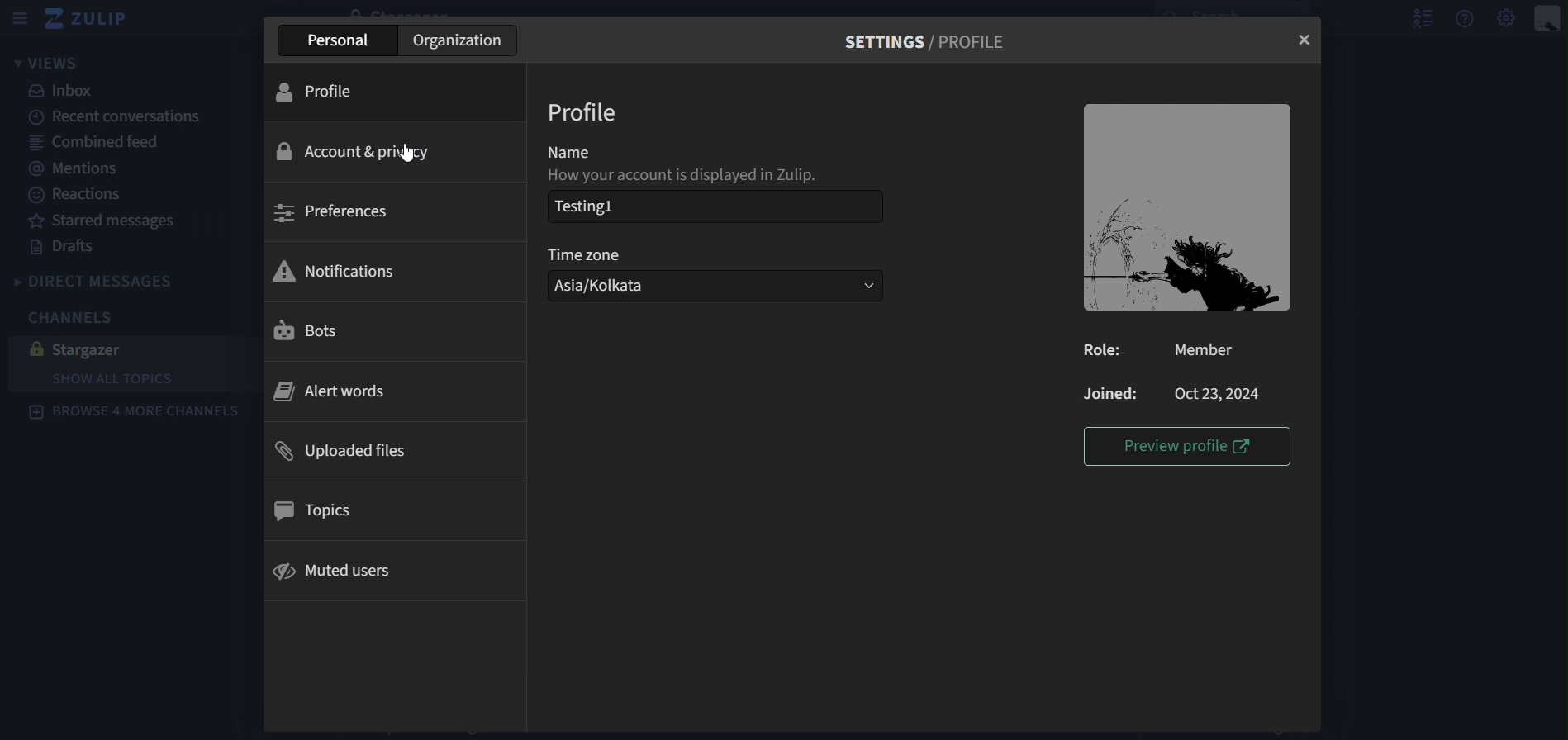  I want to click on time zone, so click(610, 258).